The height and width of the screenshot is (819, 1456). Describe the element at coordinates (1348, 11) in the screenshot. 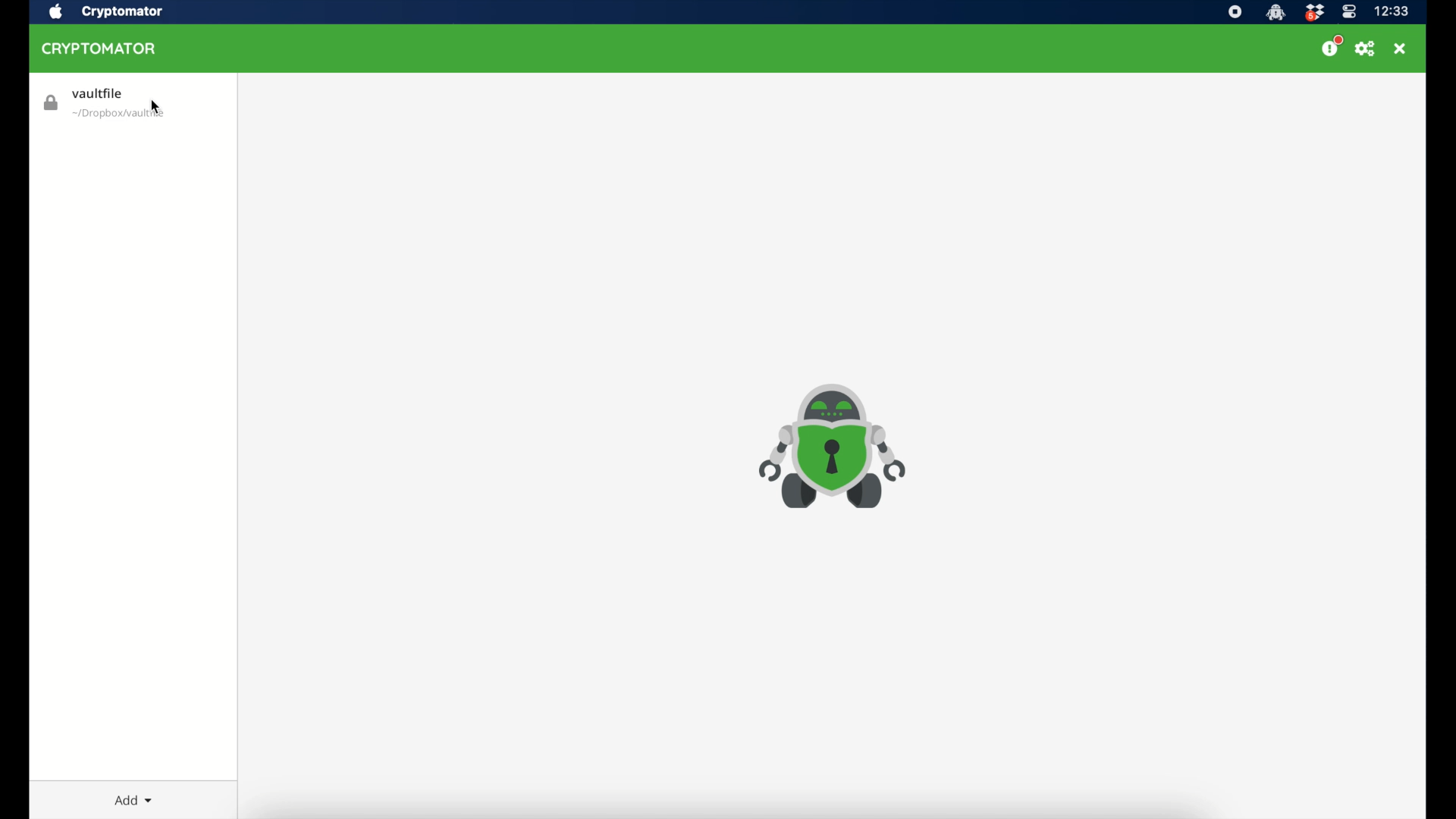

I see `control center` at that location.